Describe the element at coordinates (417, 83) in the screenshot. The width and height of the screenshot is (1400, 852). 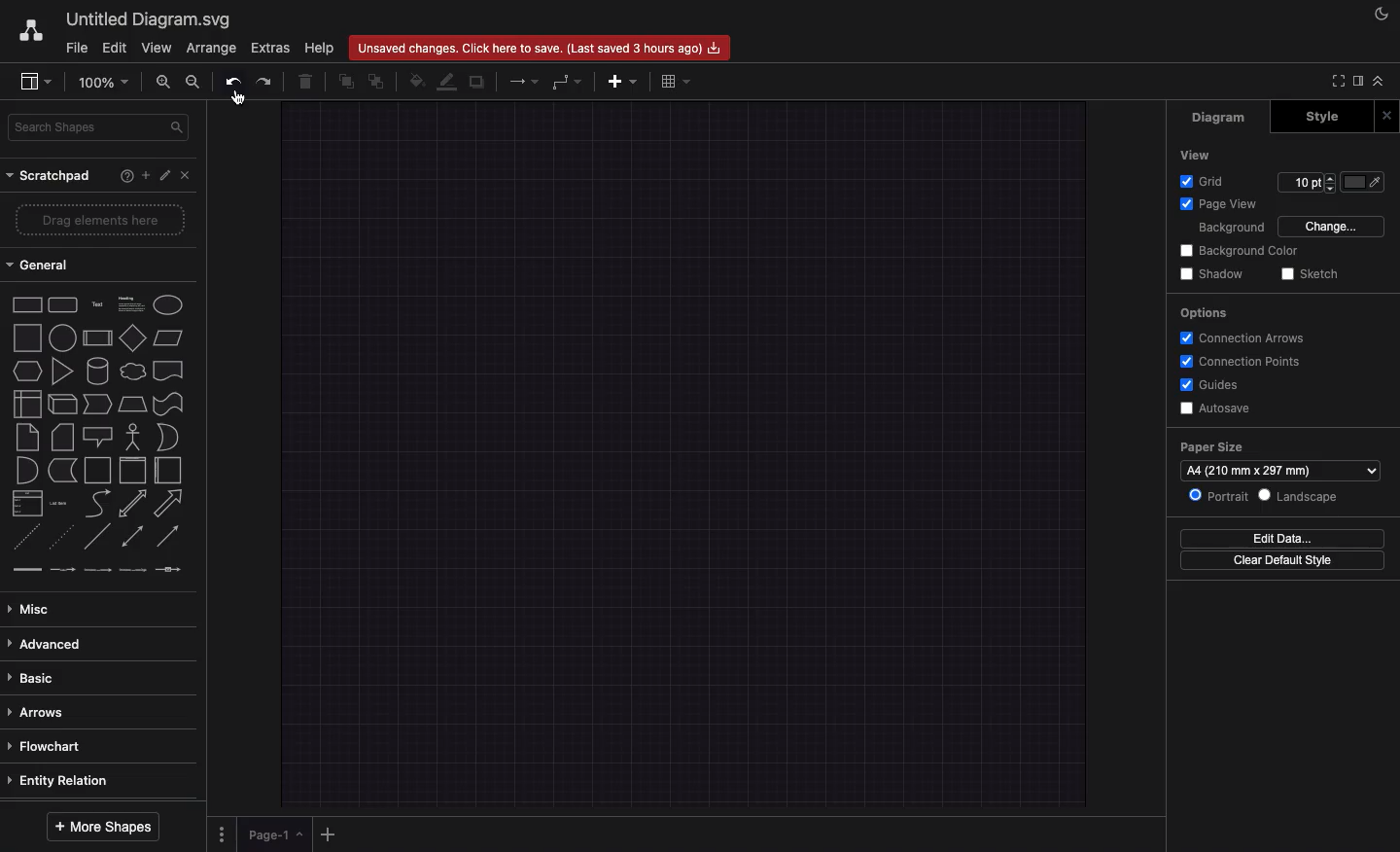
I see `Fill color` at that location.